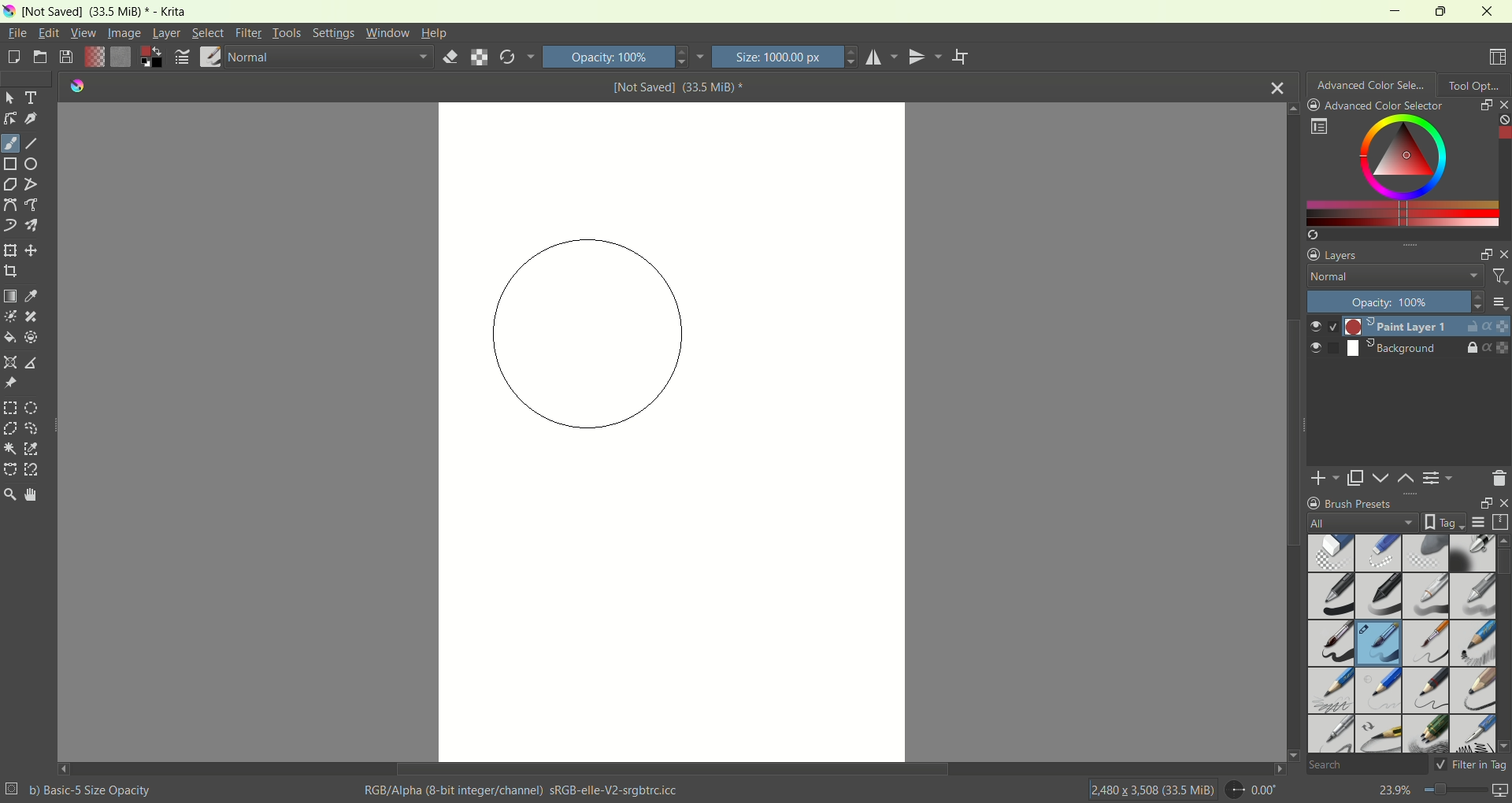 Image resolution: width=1512 pixels, height=803 pixels. What do you see at coordinates (12, 205) in the screenshot?
I see `bezier curve` at bounding box center [12, 205].